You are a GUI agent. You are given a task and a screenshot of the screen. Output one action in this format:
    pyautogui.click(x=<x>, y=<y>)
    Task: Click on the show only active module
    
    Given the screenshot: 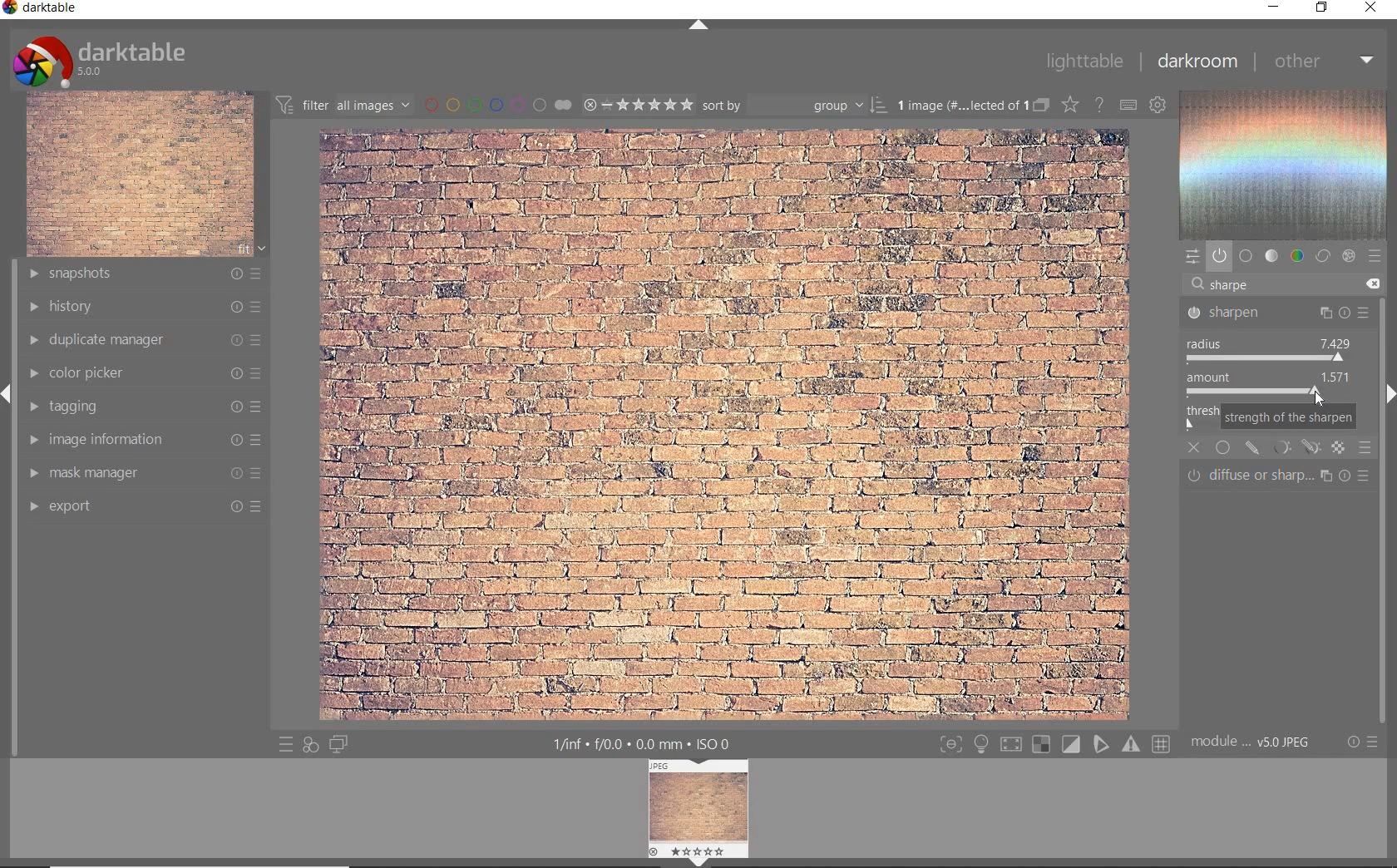 What is the action you would take?
    pyautogui.click(x=1219, y=256)
    